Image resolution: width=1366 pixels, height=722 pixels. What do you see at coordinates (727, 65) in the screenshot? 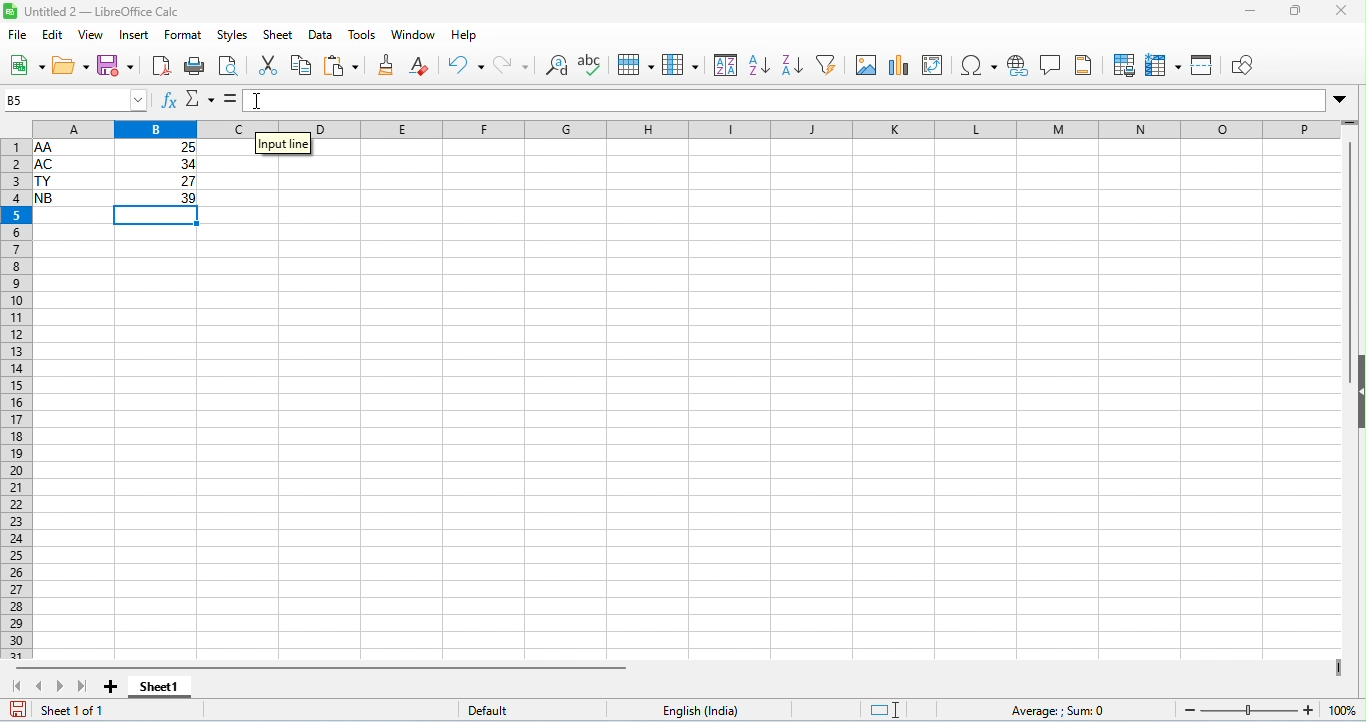
I see `sort` at bounding box center [727, 65].